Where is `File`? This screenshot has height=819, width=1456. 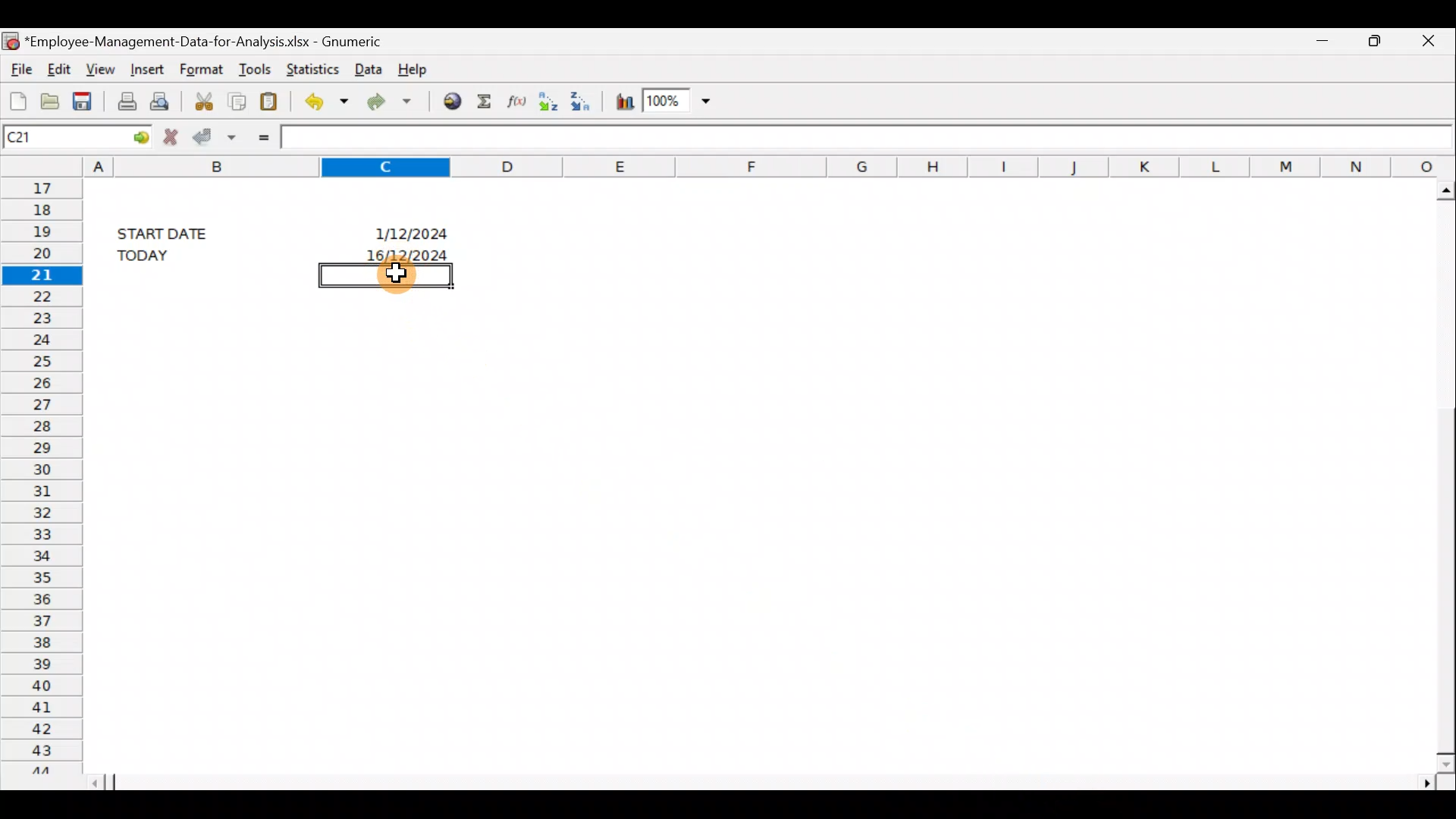 File is located at coordinates (19, 67).